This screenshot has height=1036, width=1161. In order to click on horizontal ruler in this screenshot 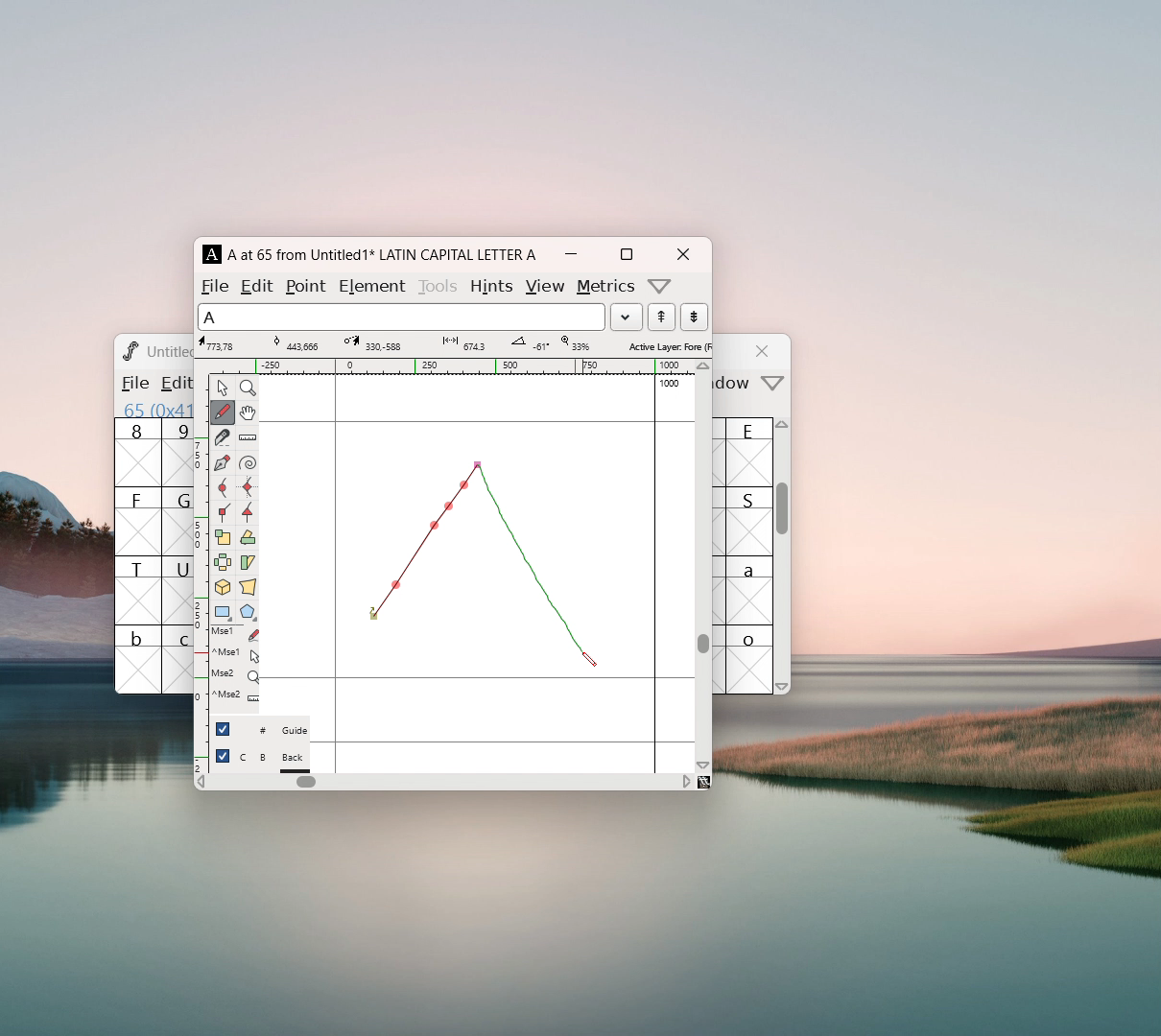, I will do `click(452, 366)`.